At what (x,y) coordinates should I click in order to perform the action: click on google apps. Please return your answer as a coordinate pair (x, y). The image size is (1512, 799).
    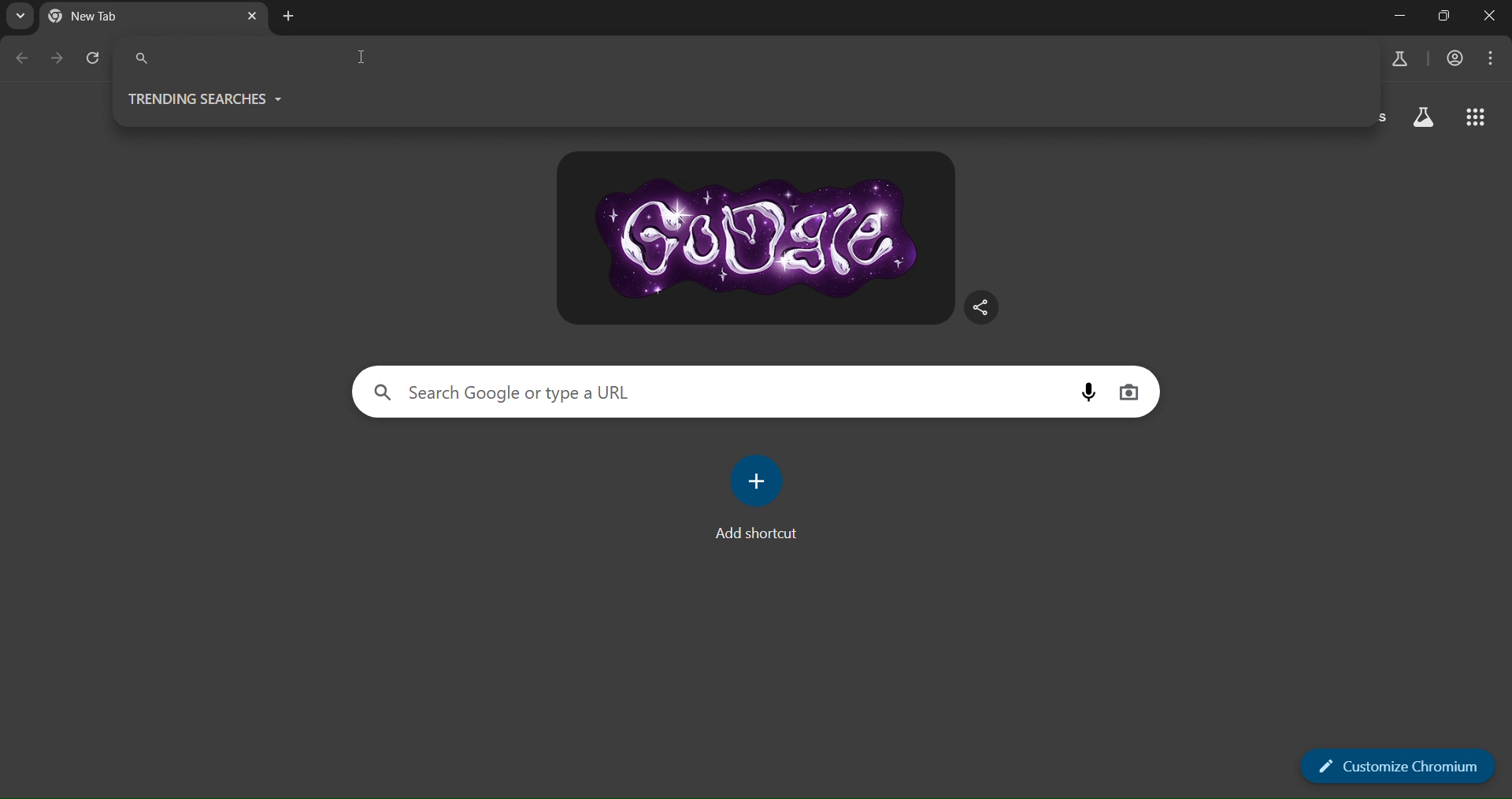
    Looking at the image, I should click on (1471, 117).